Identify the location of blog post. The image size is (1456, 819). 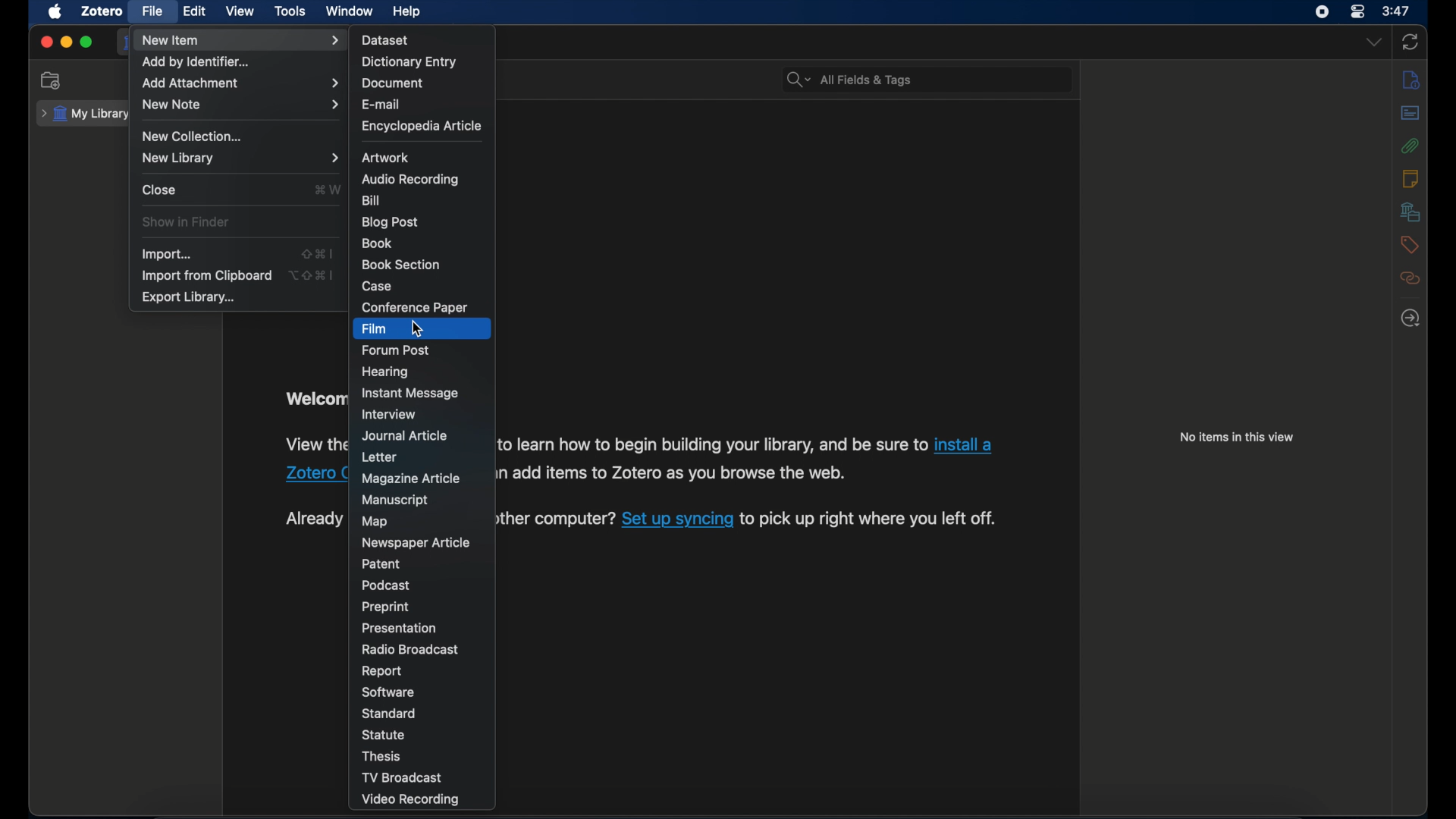
(390, 222).